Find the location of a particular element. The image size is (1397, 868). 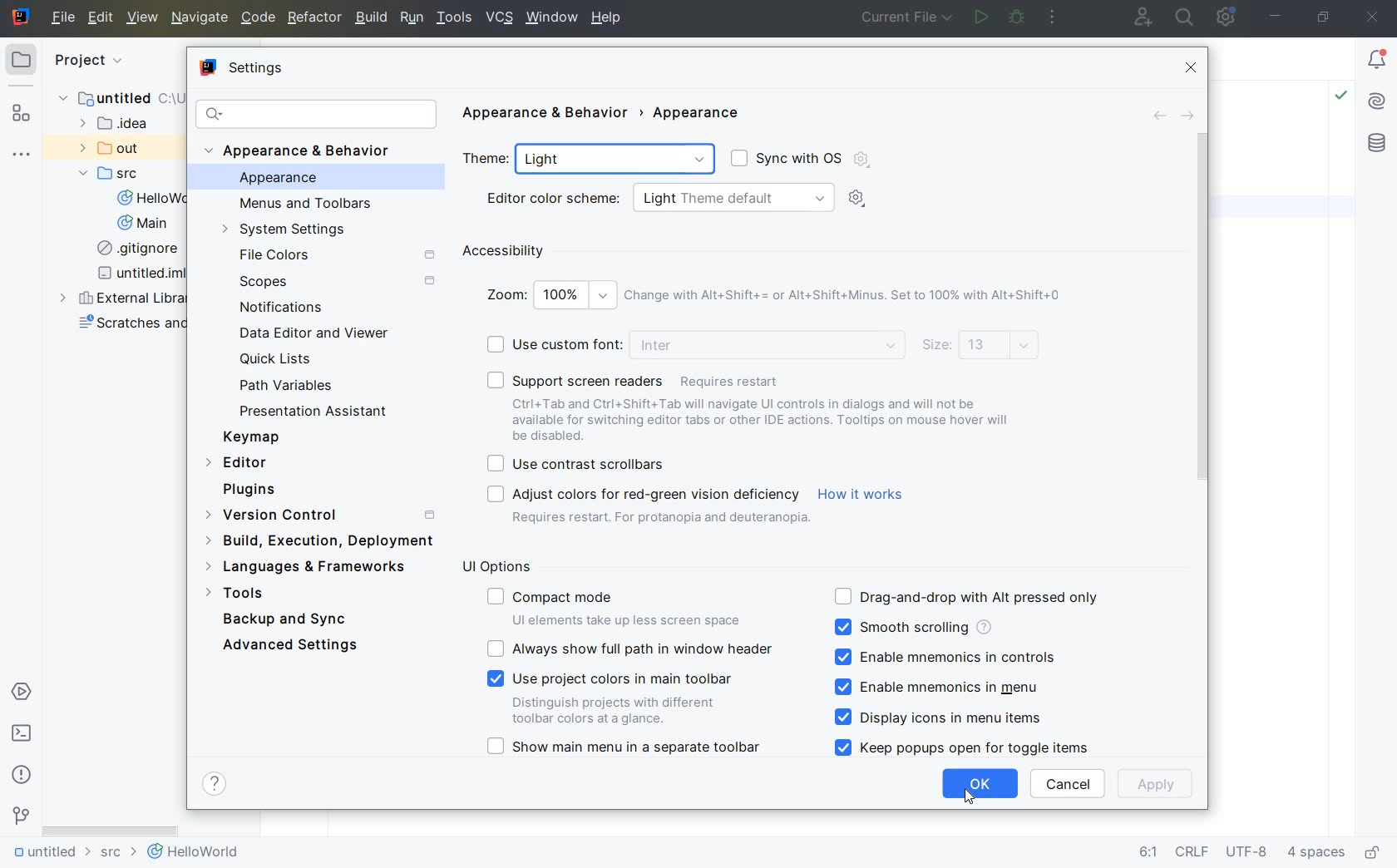

MAIN MENU is located at coordinates (60, 17).